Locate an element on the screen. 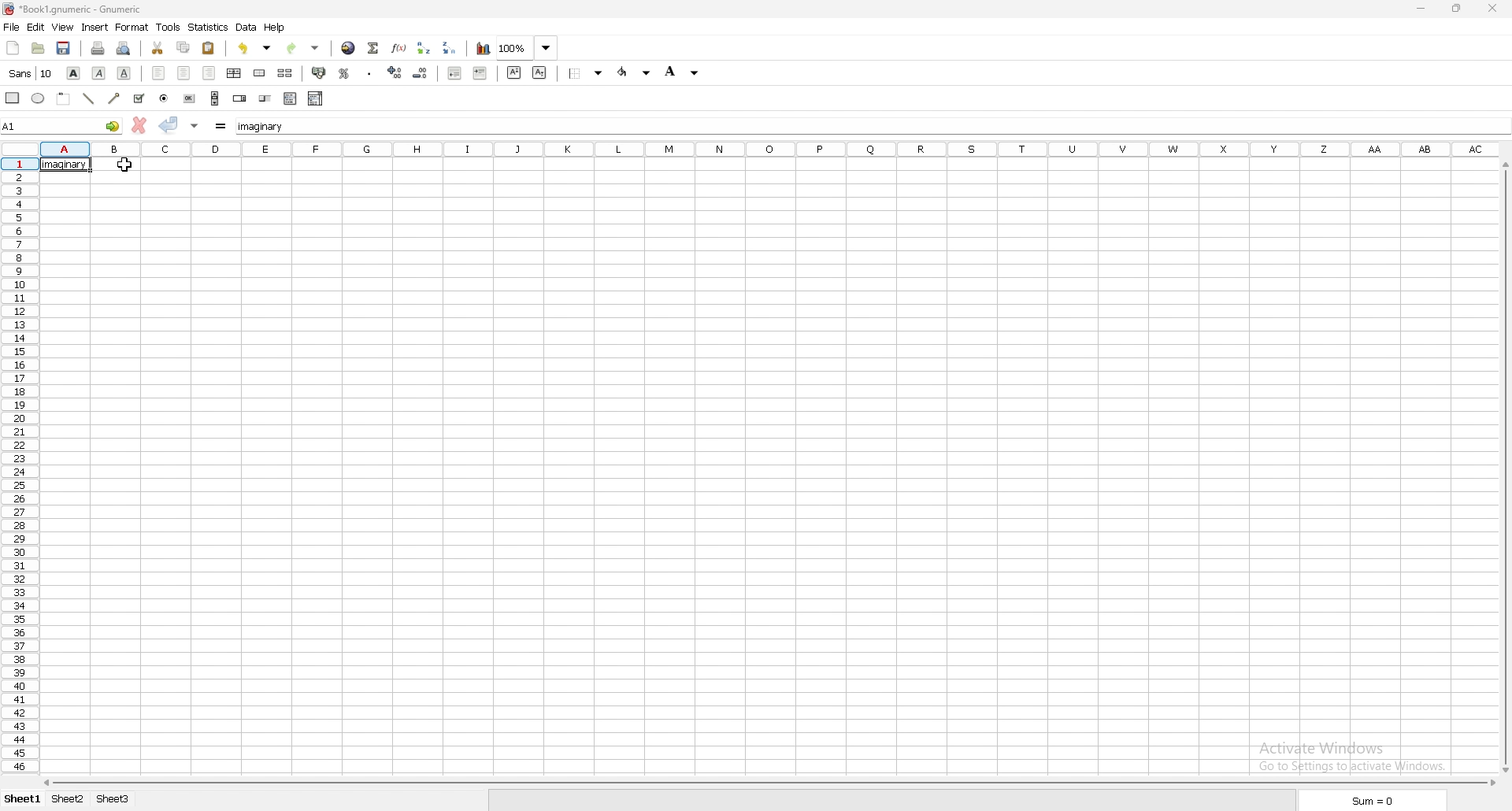  sum is located at coordinates (1371, 802).